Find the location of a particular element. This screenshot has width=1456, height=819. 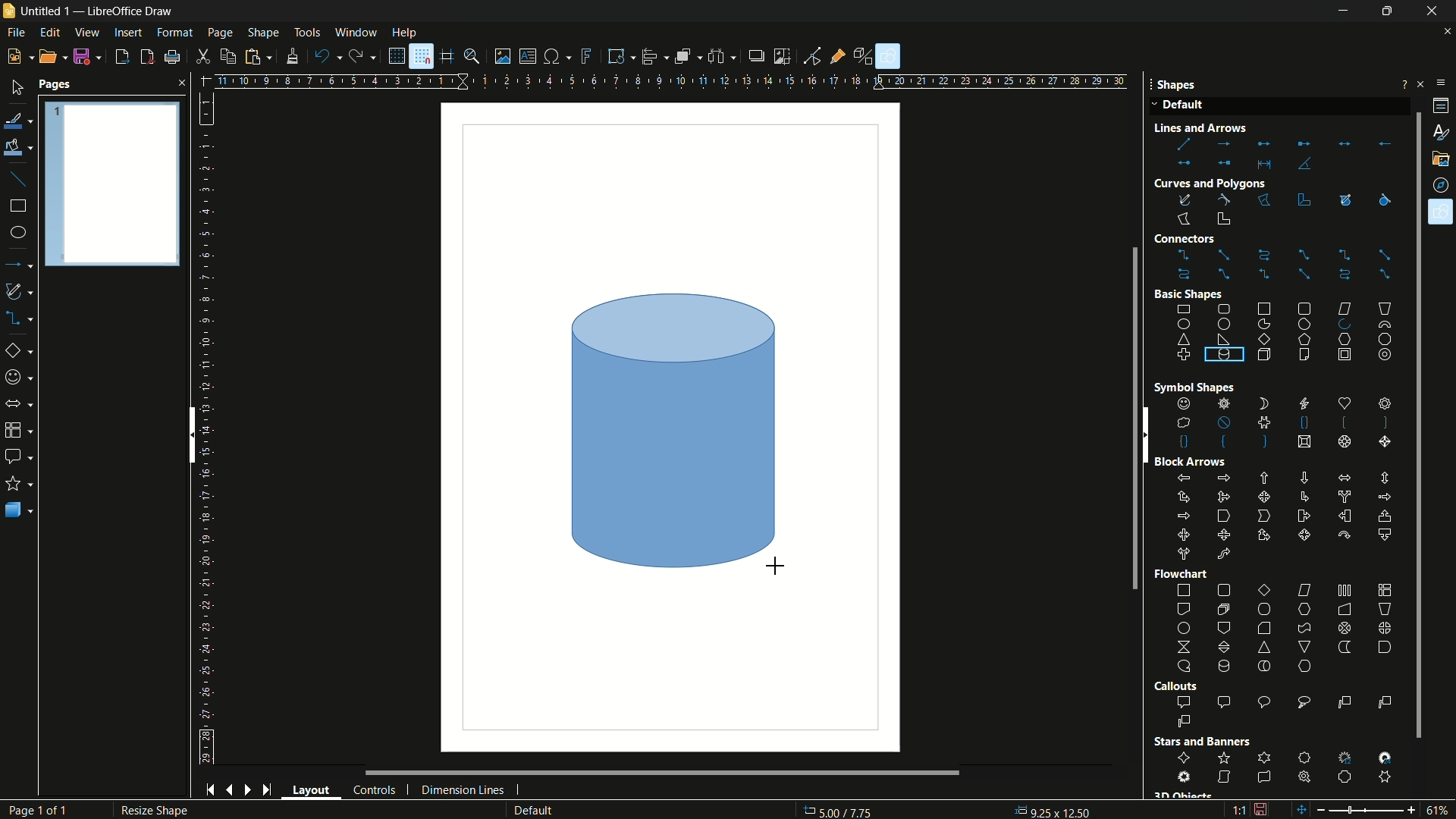

show draw functions is located at coordinates (890, 56).